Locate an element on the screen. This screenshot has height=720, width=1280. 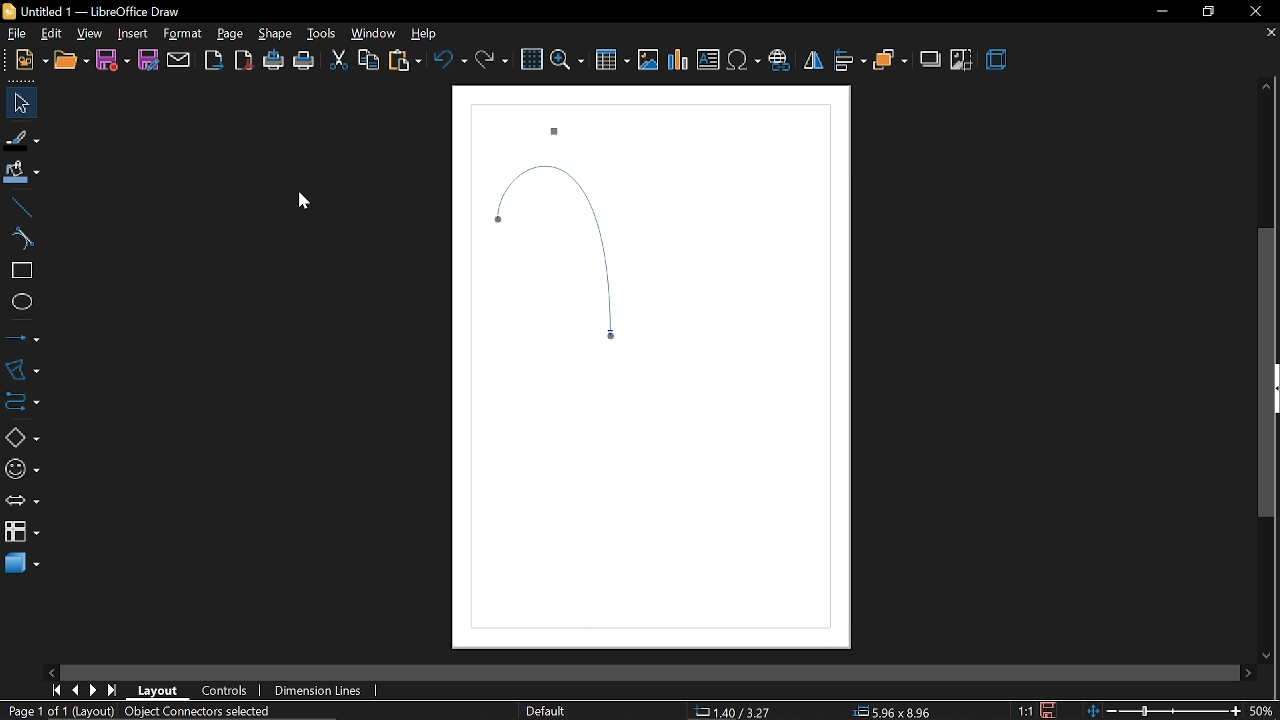
view is located at coordinates (90, 32).